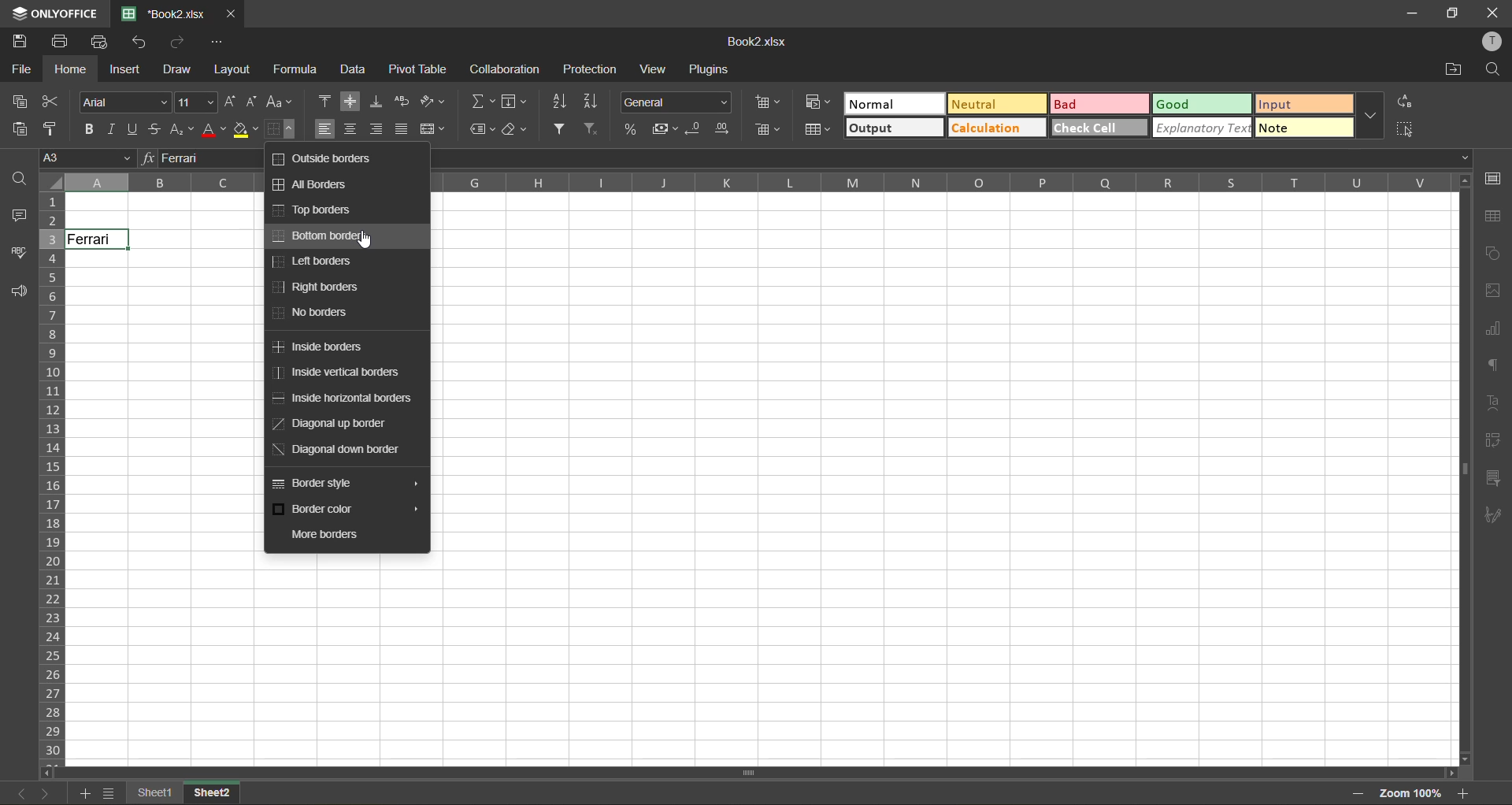  I want to click on note, so click(1299, 128).